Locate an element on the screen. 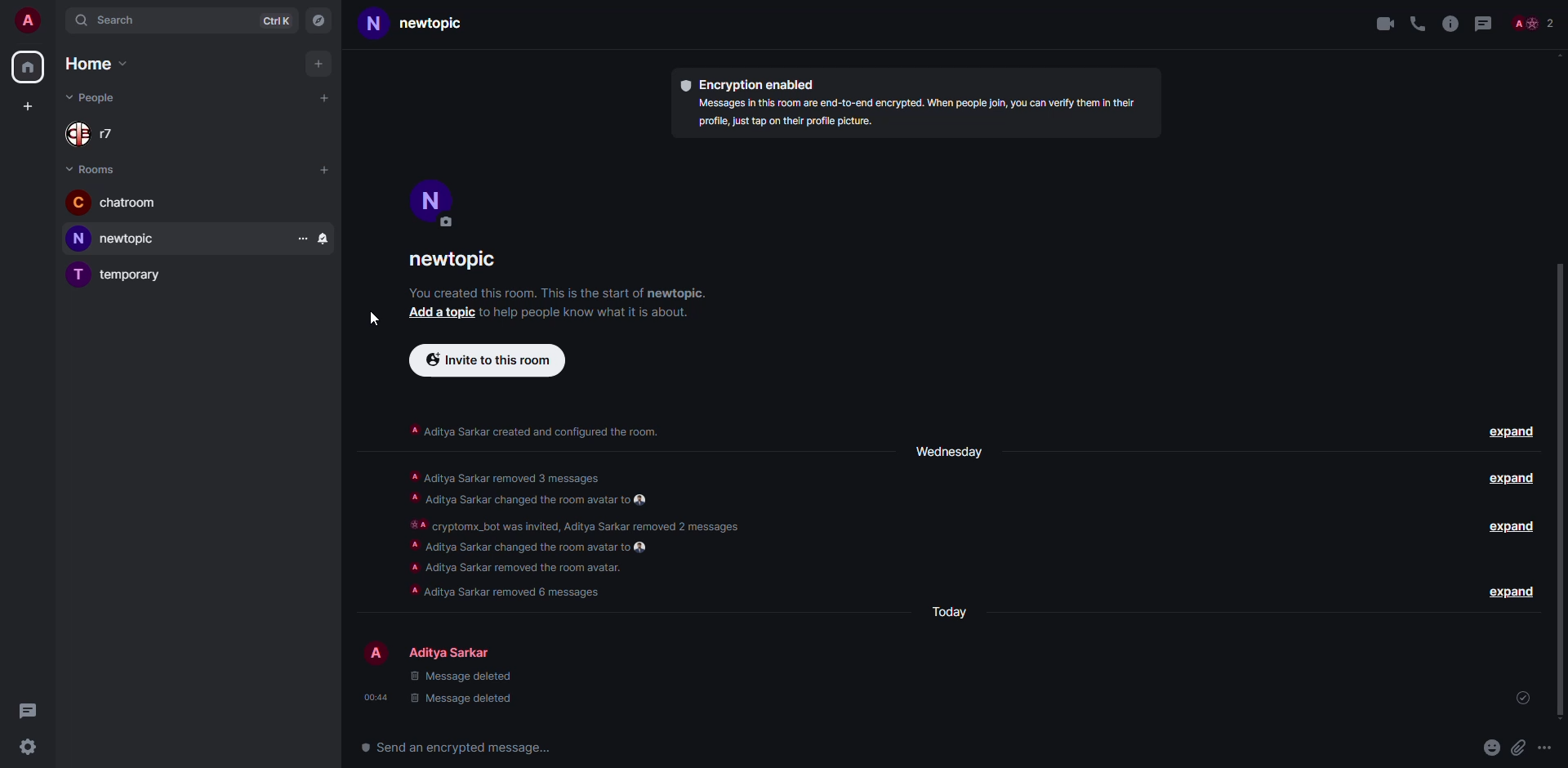 The image size is (1568, 768). expand is located at coordinates (1510, 527).